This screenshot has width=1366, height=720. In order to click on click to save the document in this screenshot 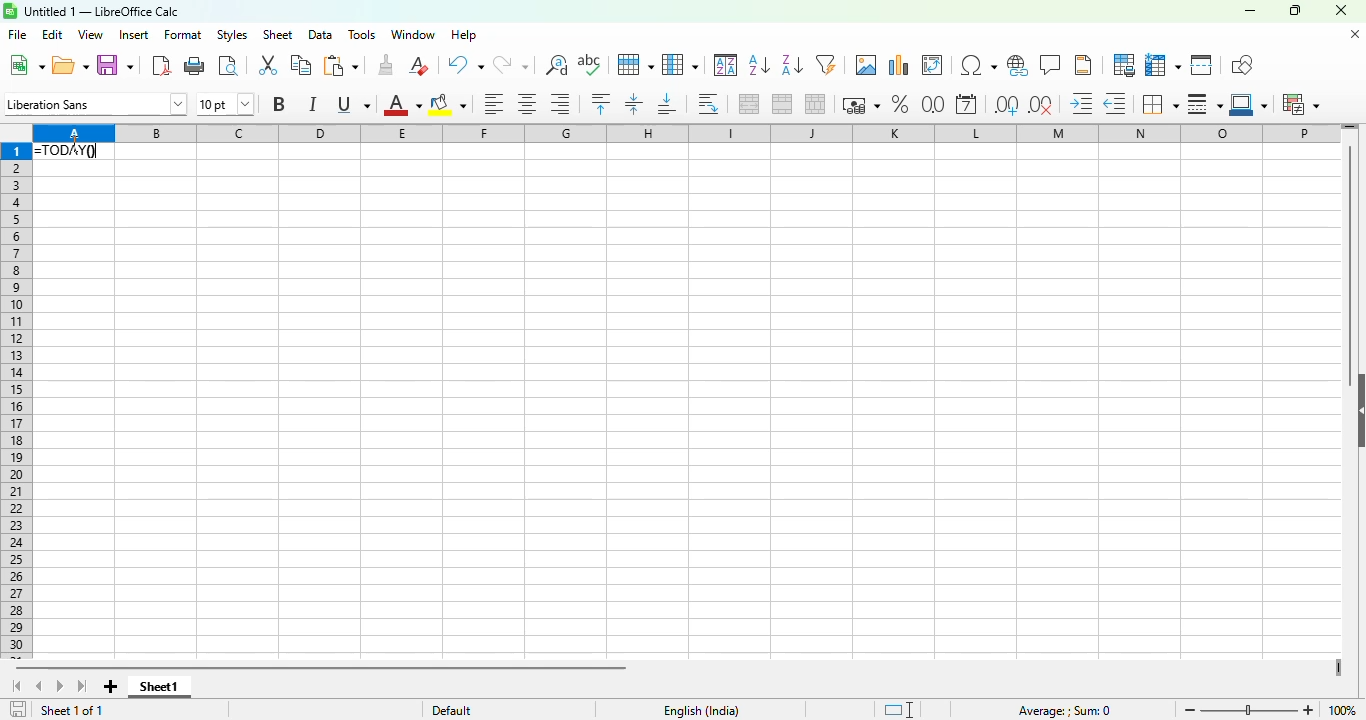, I will do `click(18, 710)`.